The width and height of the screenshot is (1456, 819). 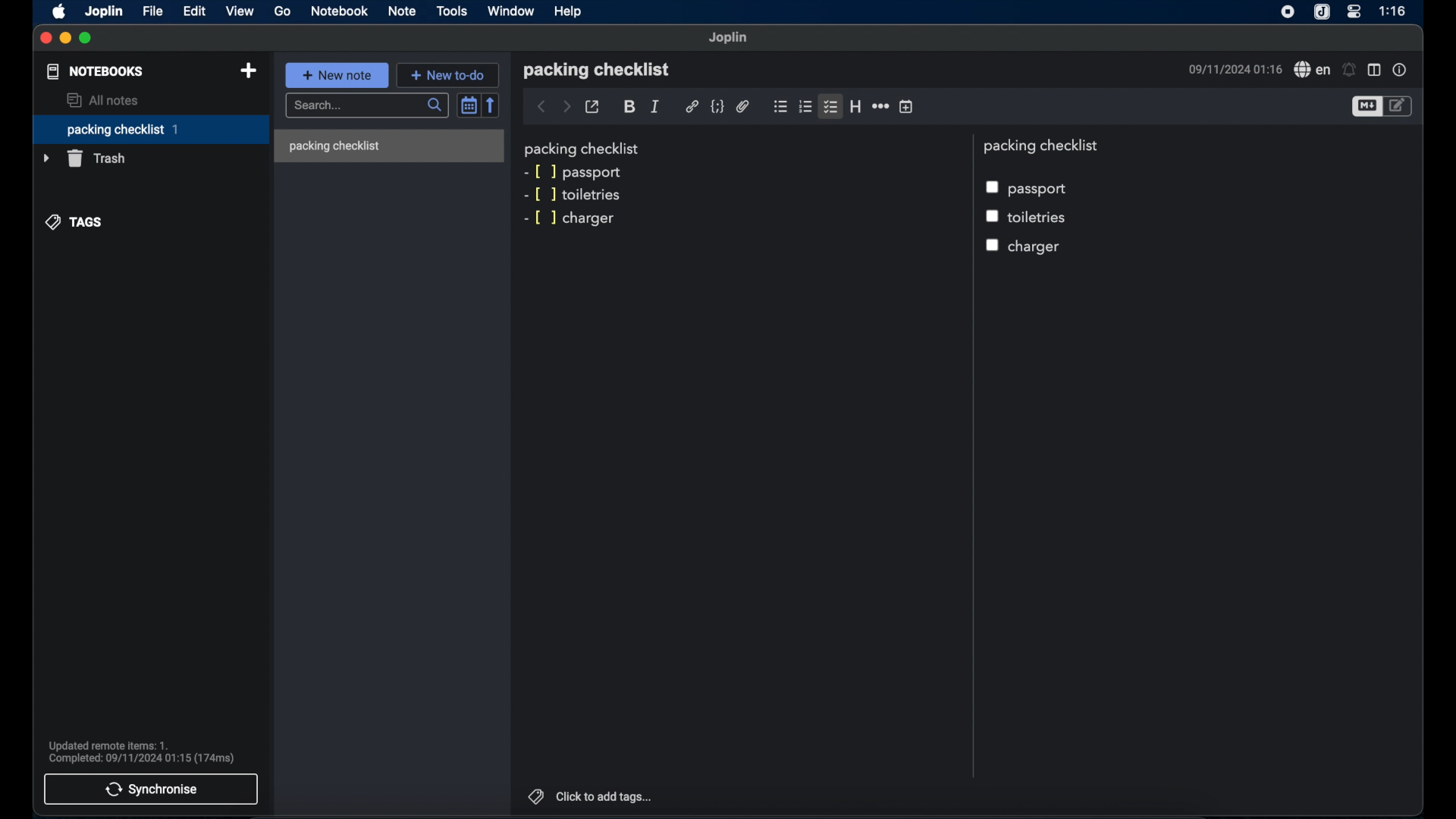 I want to click on passport, so click(x=595, y=172).